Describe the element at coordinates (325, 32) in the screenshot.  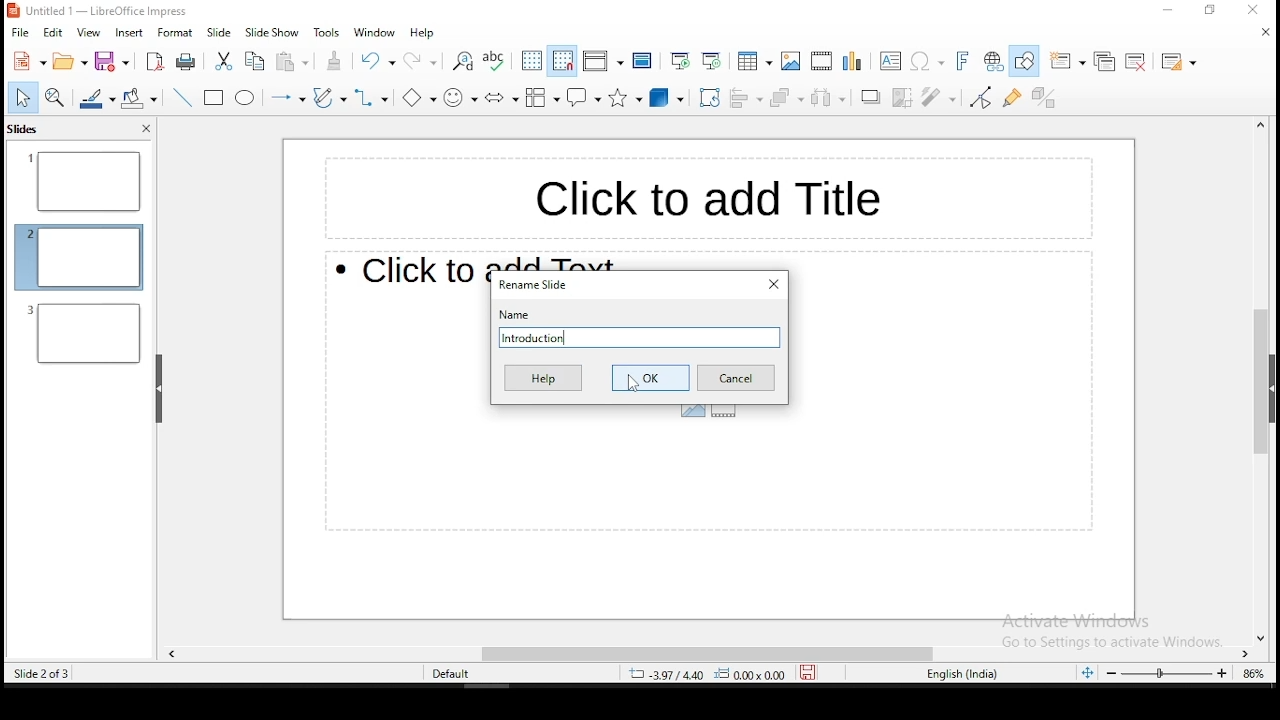
I see `tools` at that location.